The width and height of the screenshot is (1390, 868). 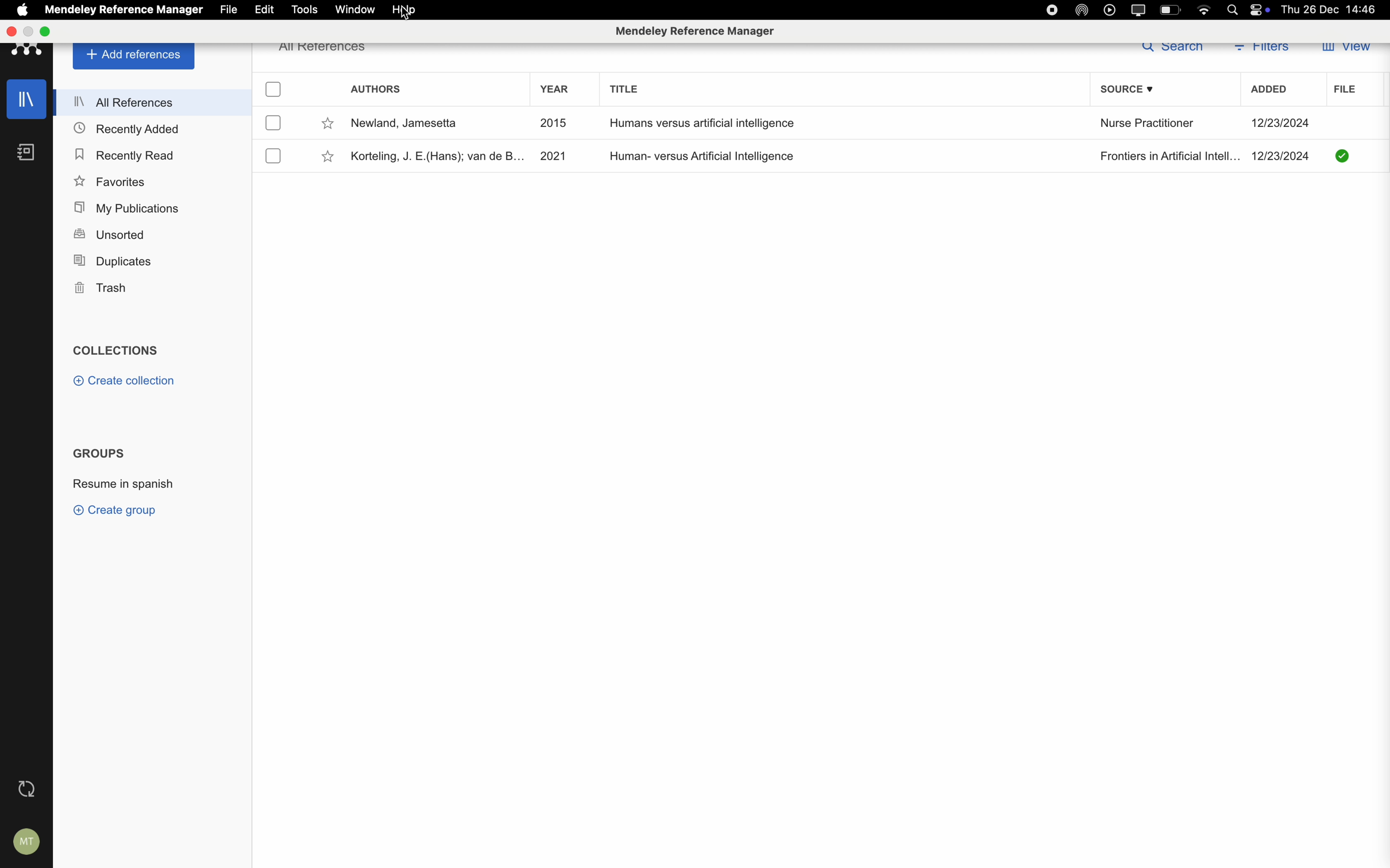 I want to click on search, so click(x=1171, y=49).